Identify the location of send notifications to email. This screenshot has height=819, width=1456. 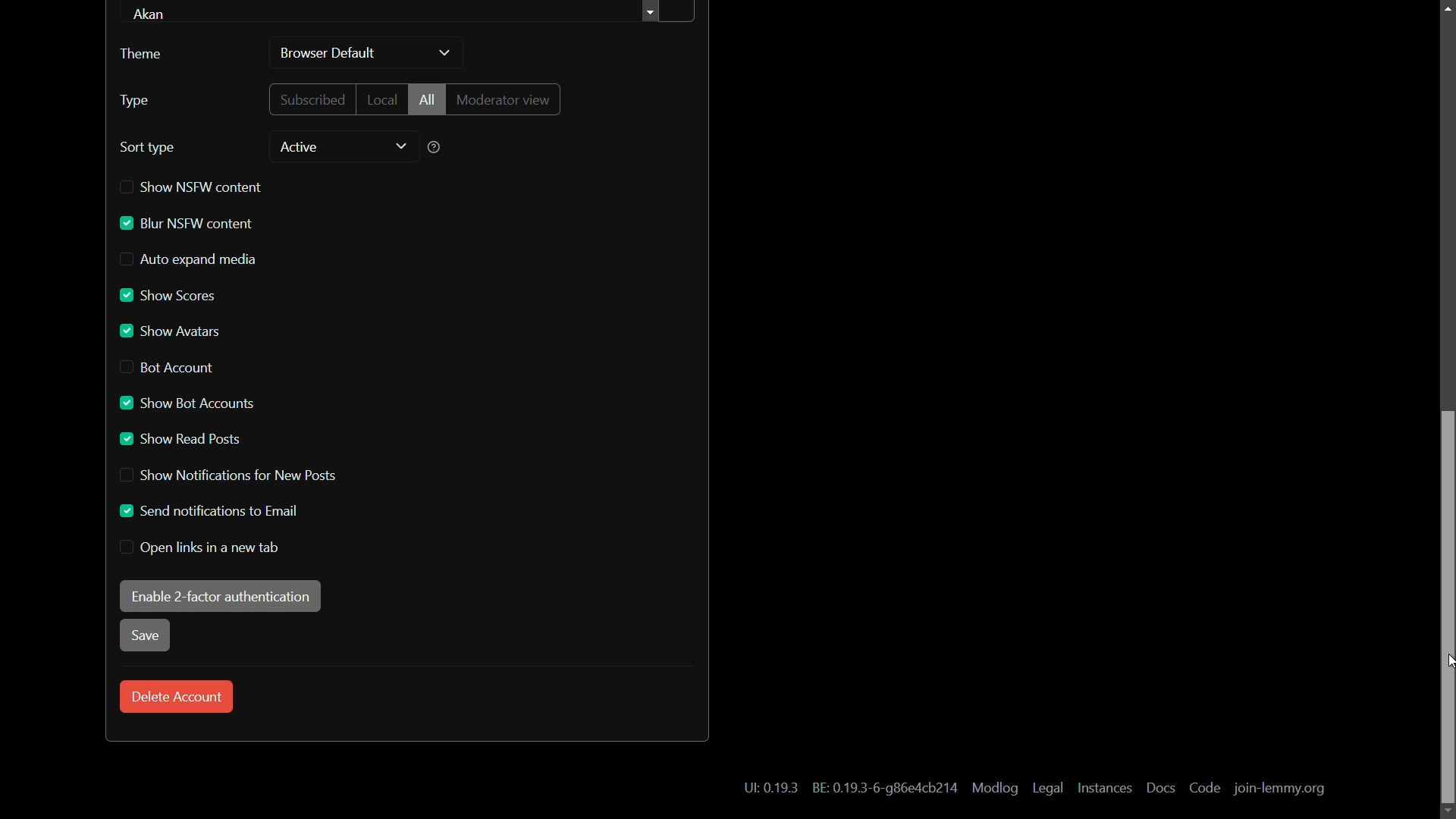
(206, 510).